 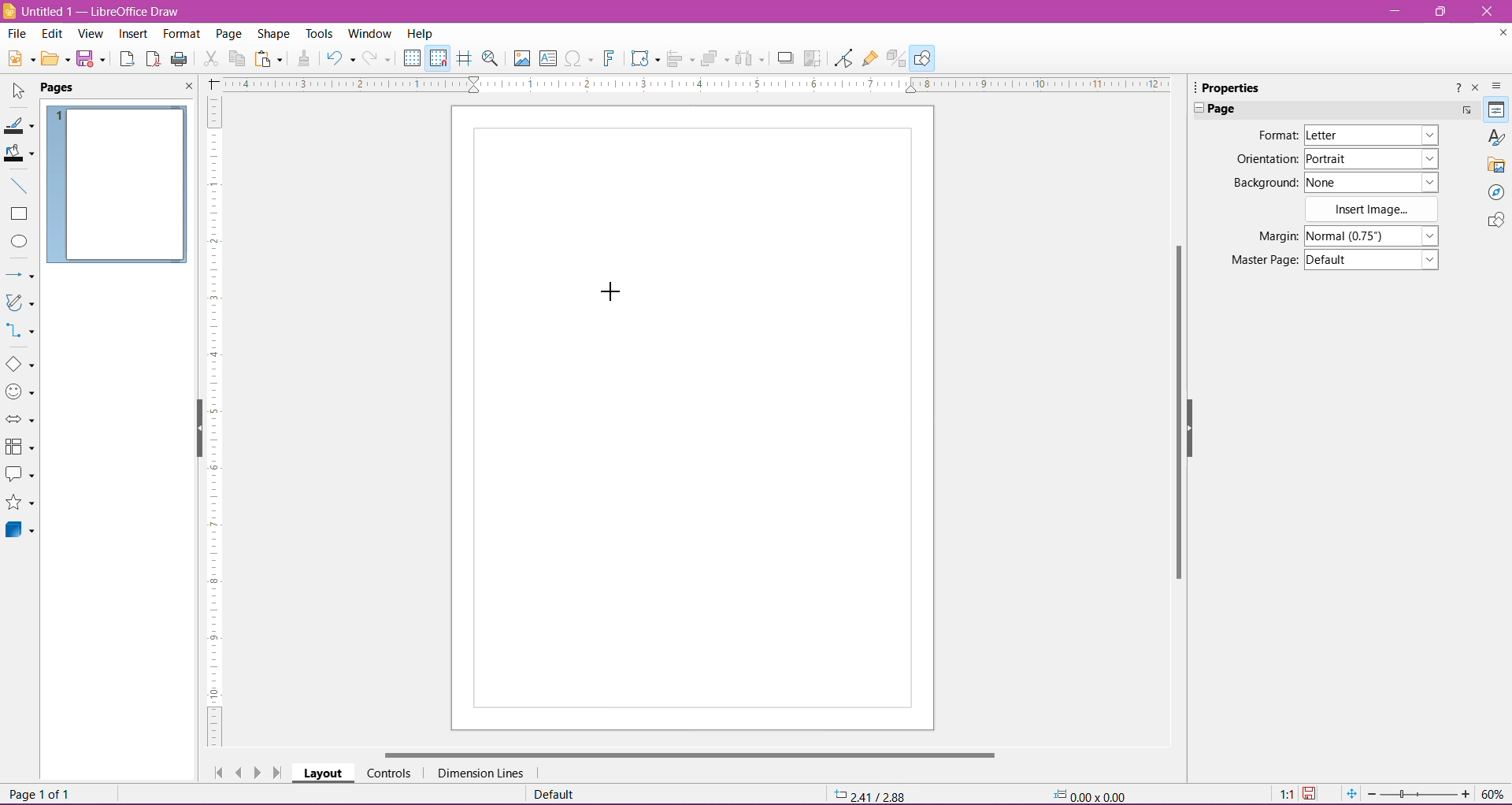 What do you see at coordinates (492, 61) in the screenshot?
I see `Zoom and Pan` at bounding box center [492, 61].